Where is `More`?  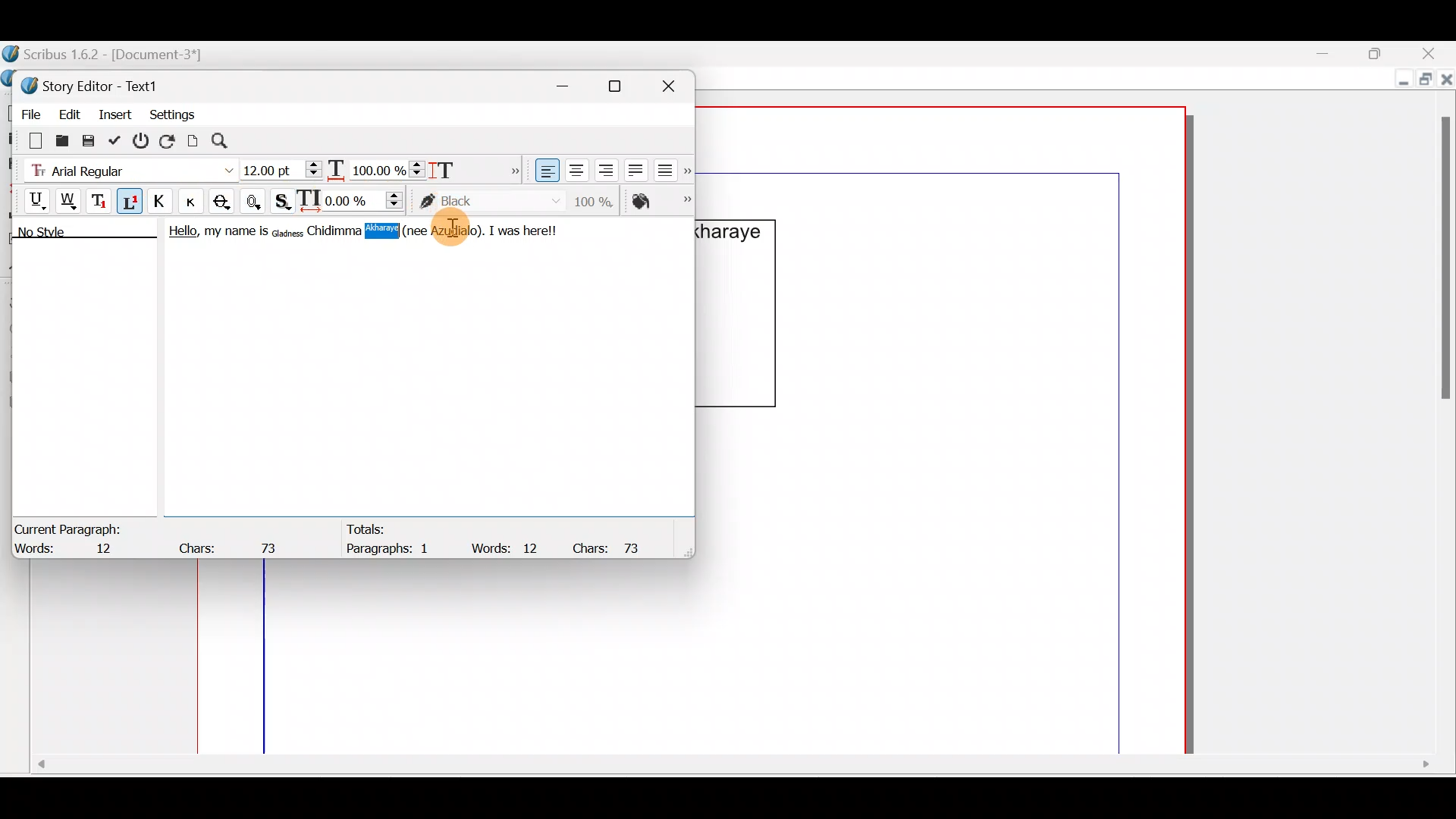 More is located at coordinates (511, 168).